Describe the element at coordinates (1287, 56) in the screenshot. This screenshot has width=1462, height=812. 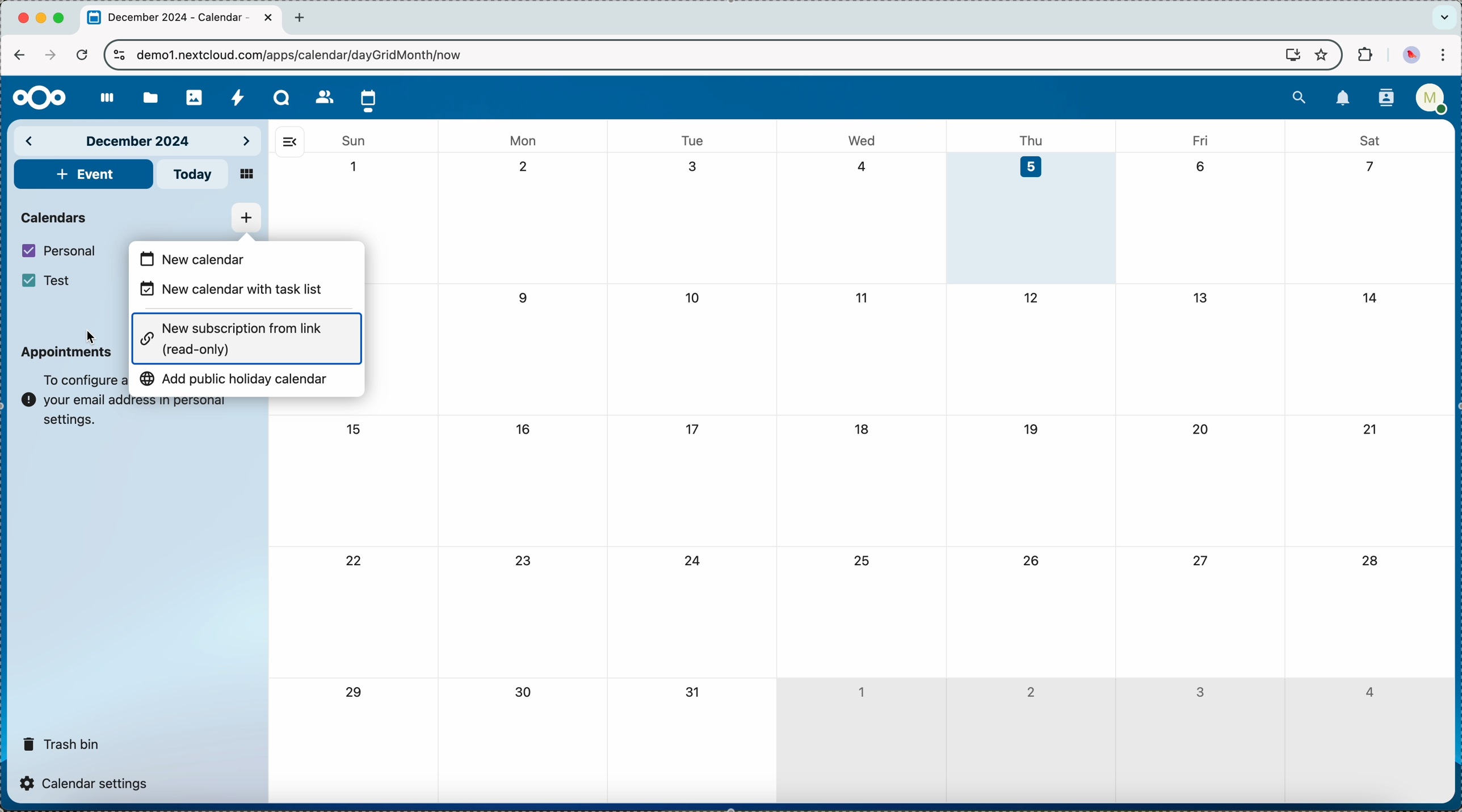
I see `screen` at that location.